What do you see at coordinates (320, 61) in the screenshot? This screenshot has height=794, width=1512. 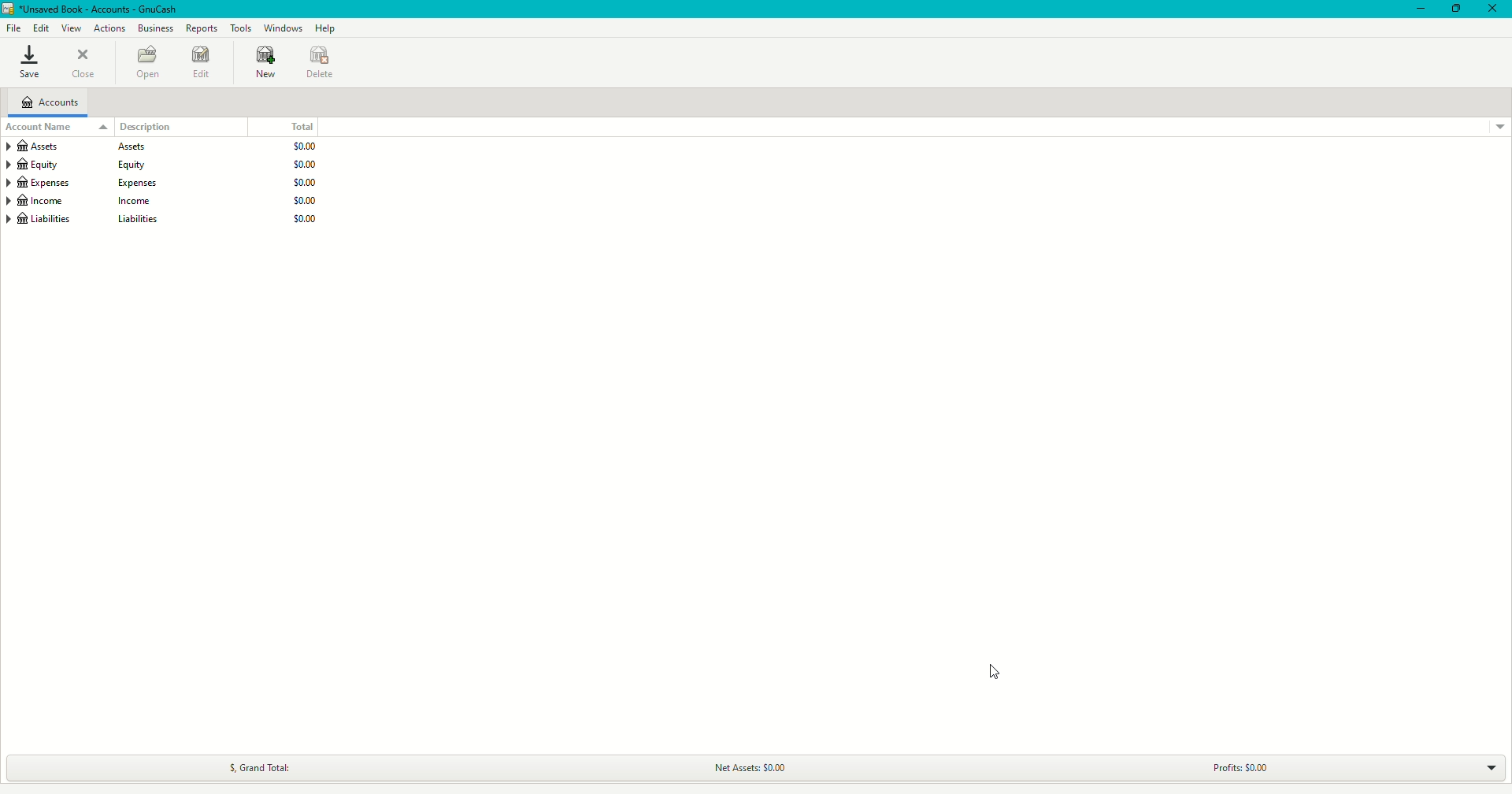 I see `Delete` at bounding box center [320, 61].